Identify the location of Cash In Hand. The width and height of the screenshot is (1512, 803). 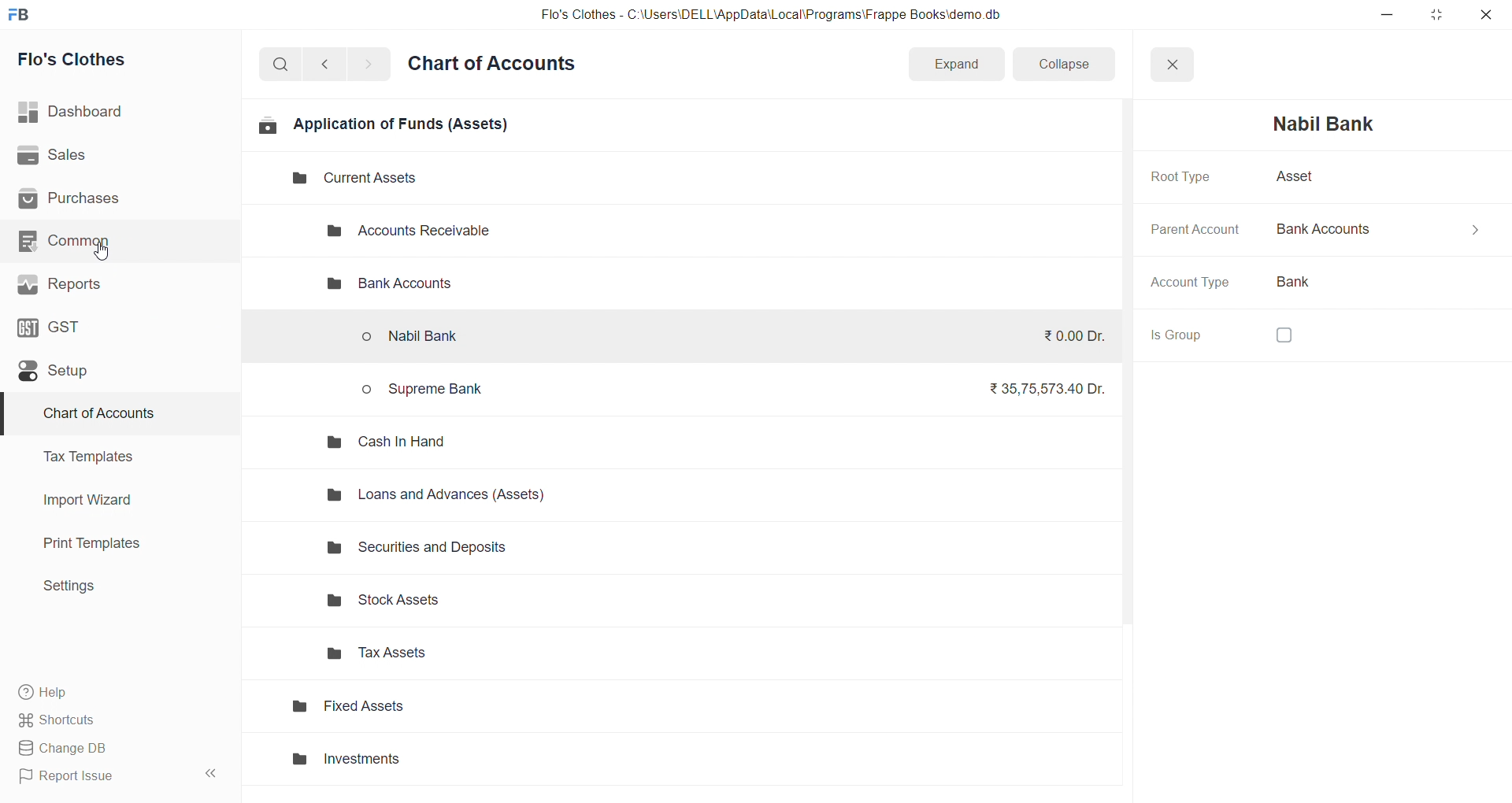
(392, 441).